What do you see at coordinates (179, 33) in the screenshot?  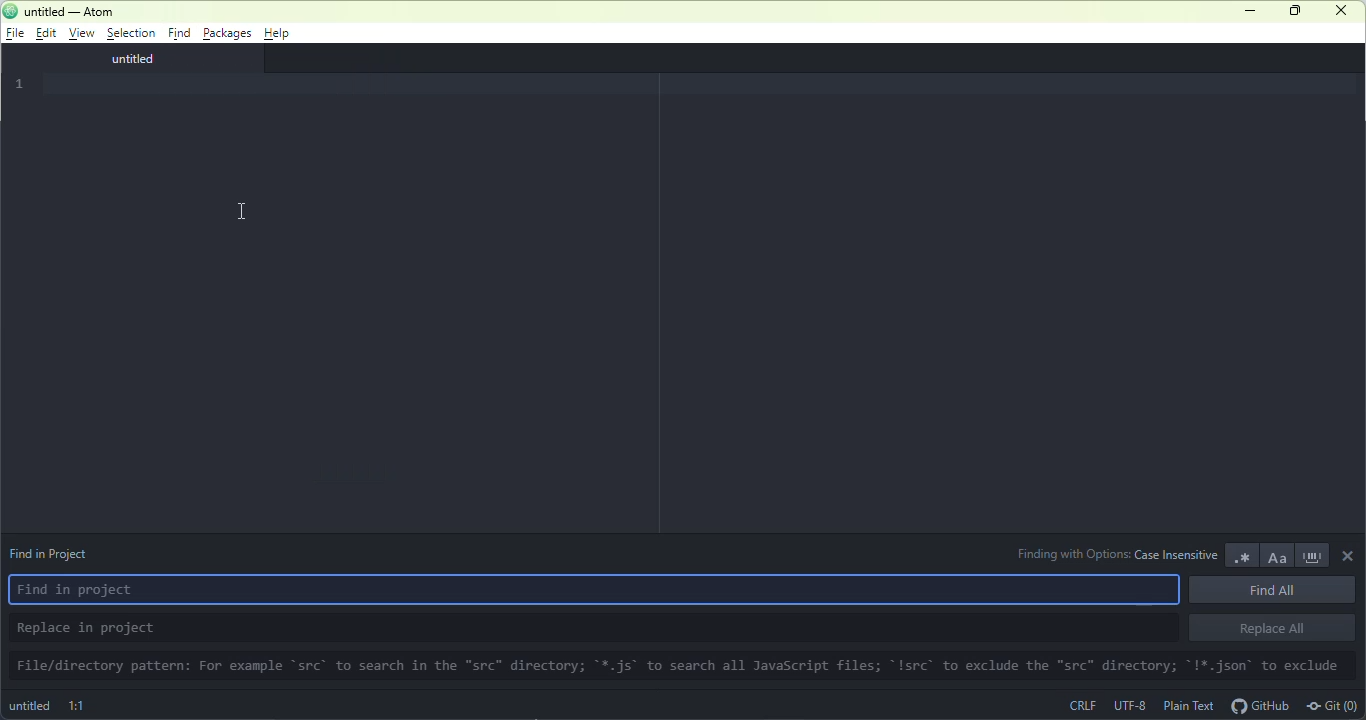 I see `find` at bounding box center [179, 33].